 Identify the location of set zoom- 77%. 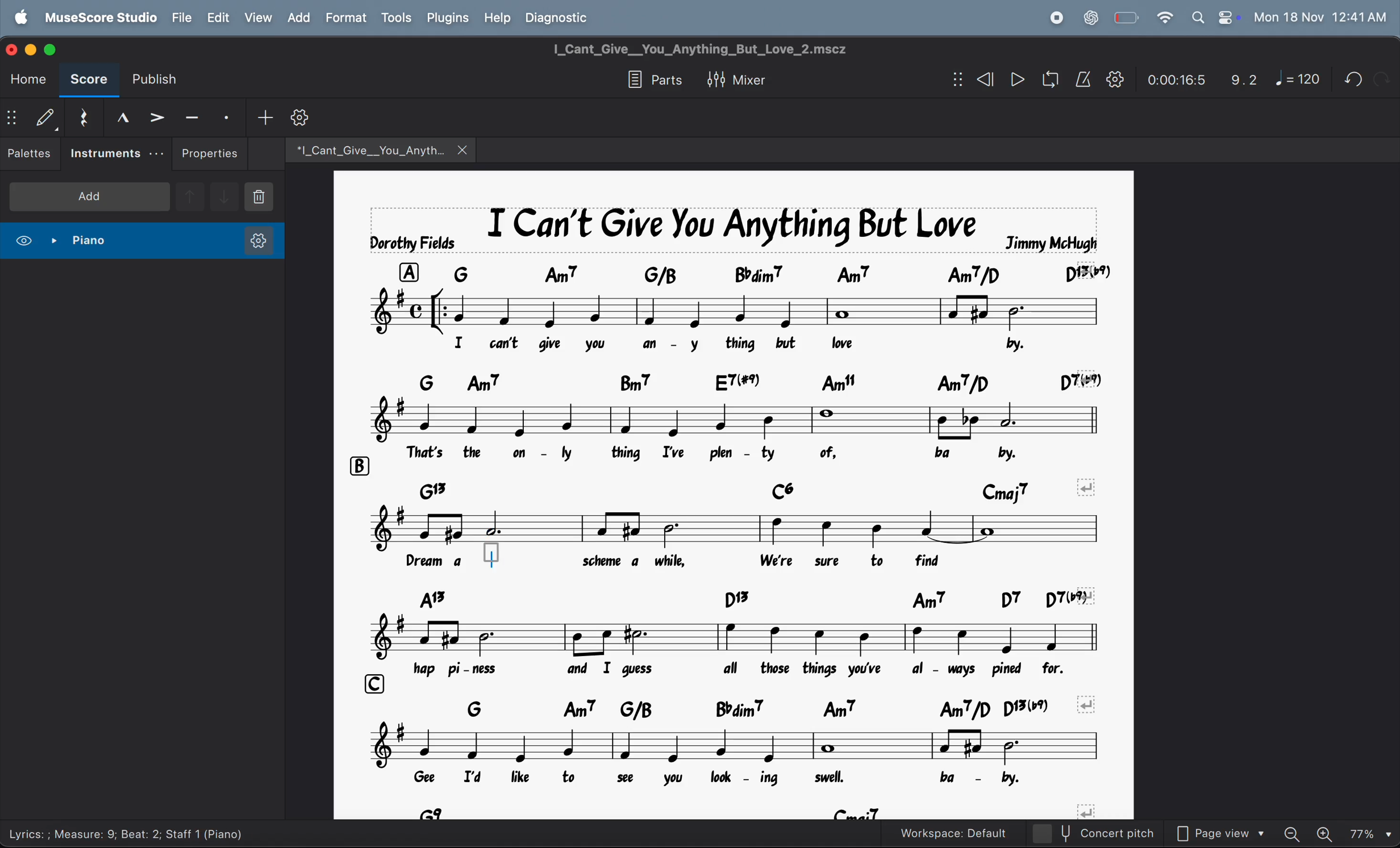
(1372, 833).